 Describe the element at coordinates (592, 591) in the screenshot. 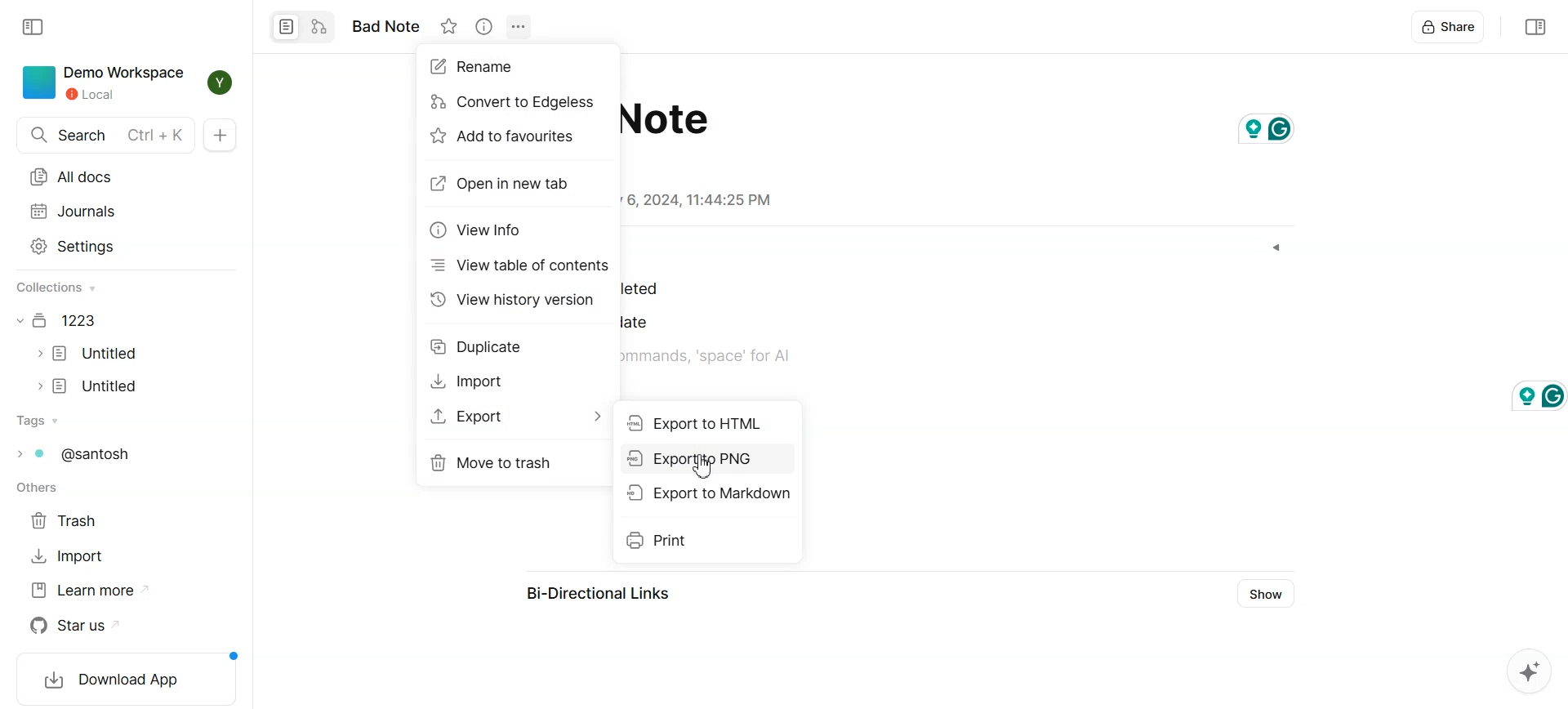

I see `Bi-Directional Links` at that location.